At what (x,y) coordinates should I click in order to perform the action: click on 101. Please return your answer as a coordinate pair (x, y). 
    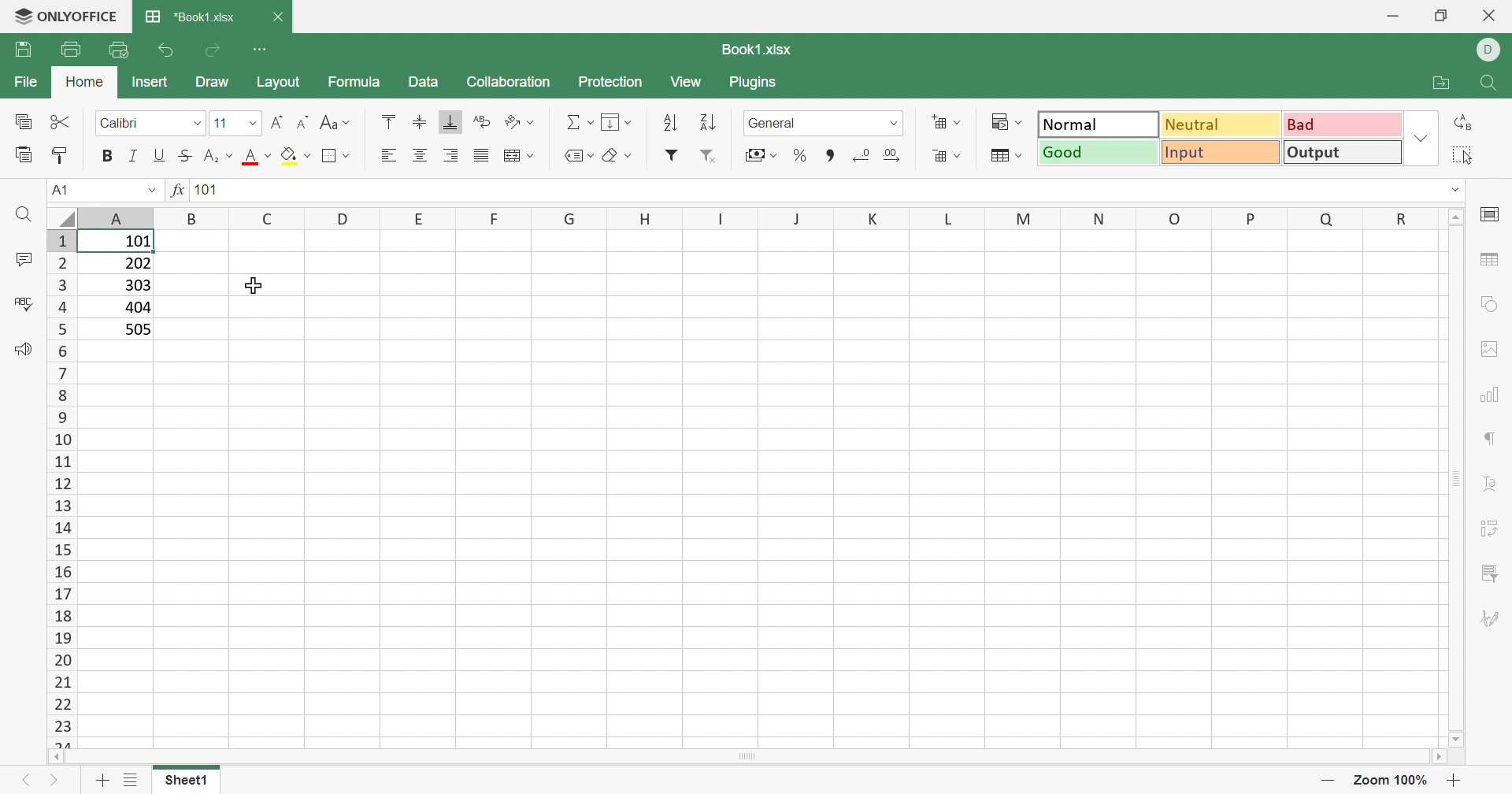
    Looking at the image, I should click on (135, 242).